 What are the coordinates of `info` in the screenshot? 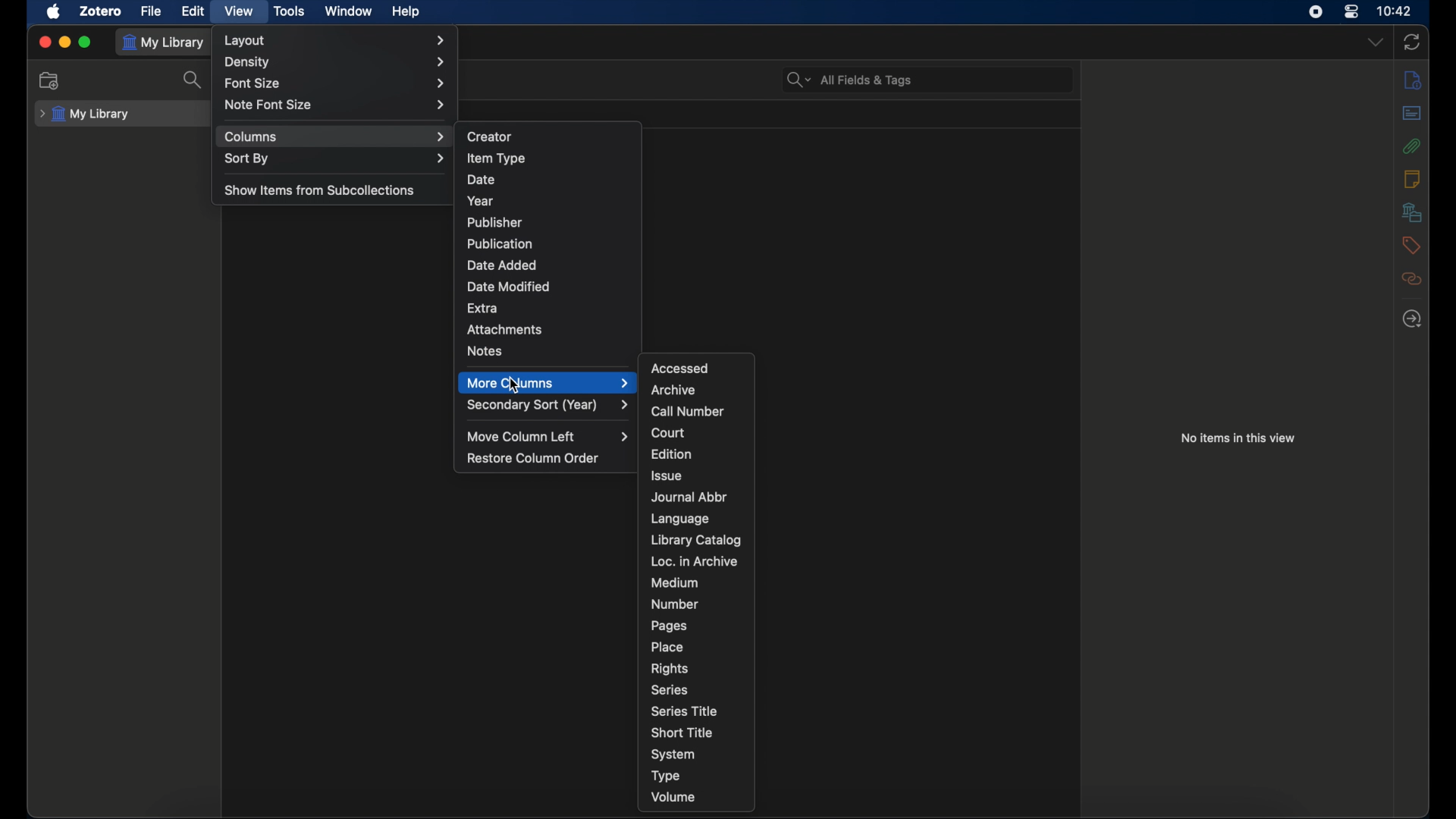 It's located at (1414, 81).